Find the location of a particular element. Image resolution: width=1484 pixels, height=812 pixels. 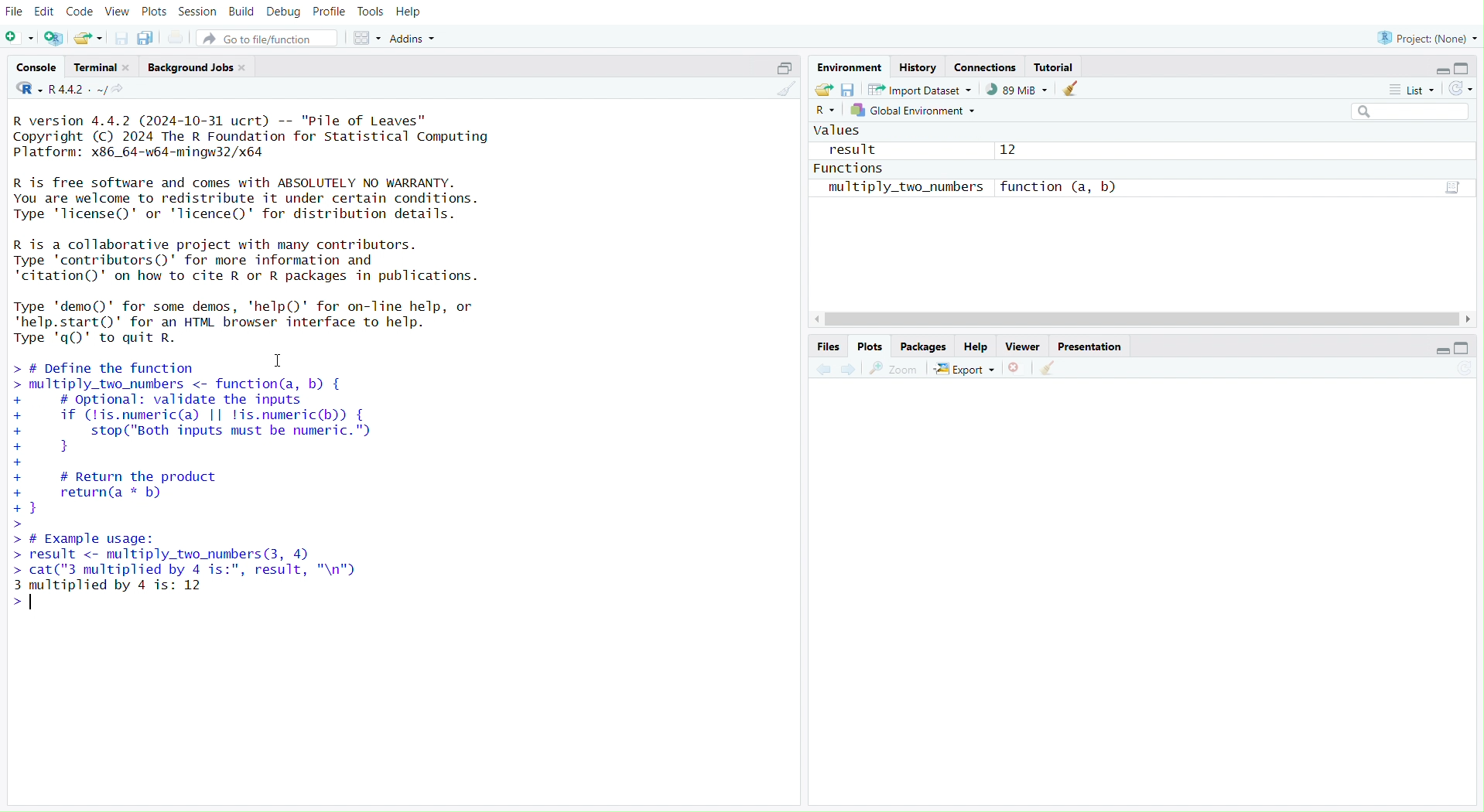

Environment is located at coordinates (848, 67).